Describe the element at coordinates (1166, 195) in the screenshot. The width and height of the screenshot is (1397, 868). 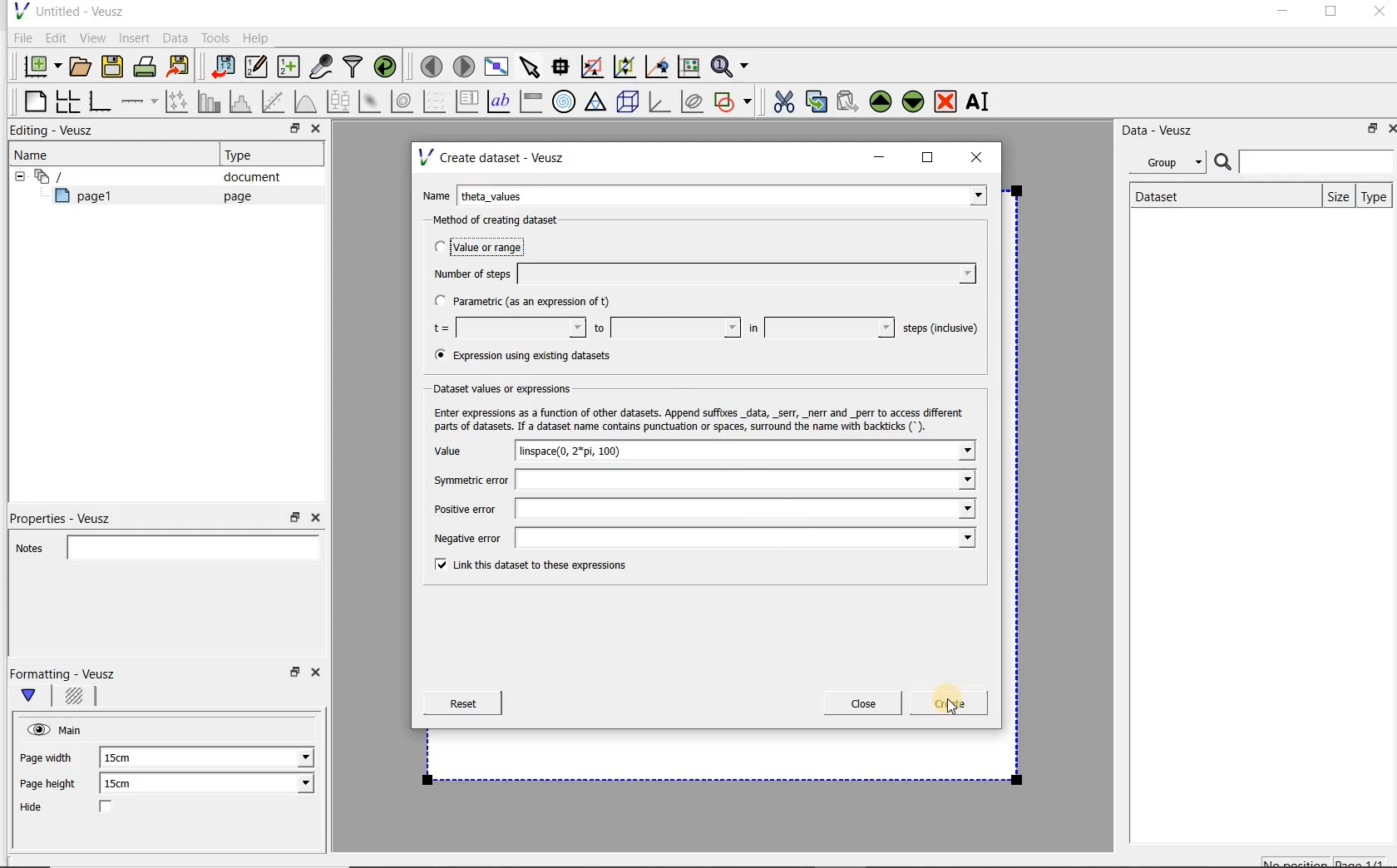
I see `Dataset` at that location.